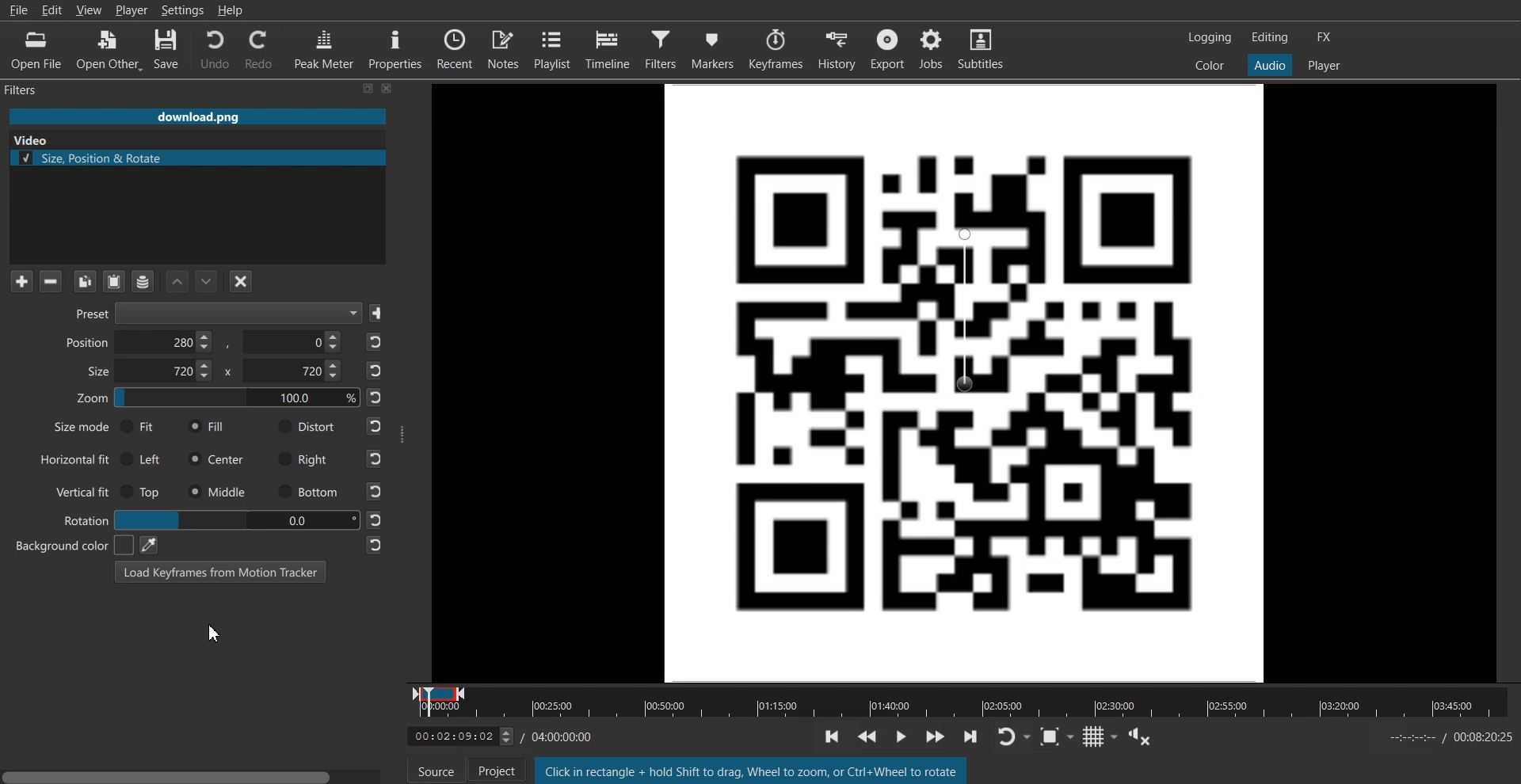 The height and width of the screenshot is (784, 1521). What do you see at coordinates (194, 773) in the screenshot?
I see `Horizontal Scroll bar` at bounding box center [194, 773].